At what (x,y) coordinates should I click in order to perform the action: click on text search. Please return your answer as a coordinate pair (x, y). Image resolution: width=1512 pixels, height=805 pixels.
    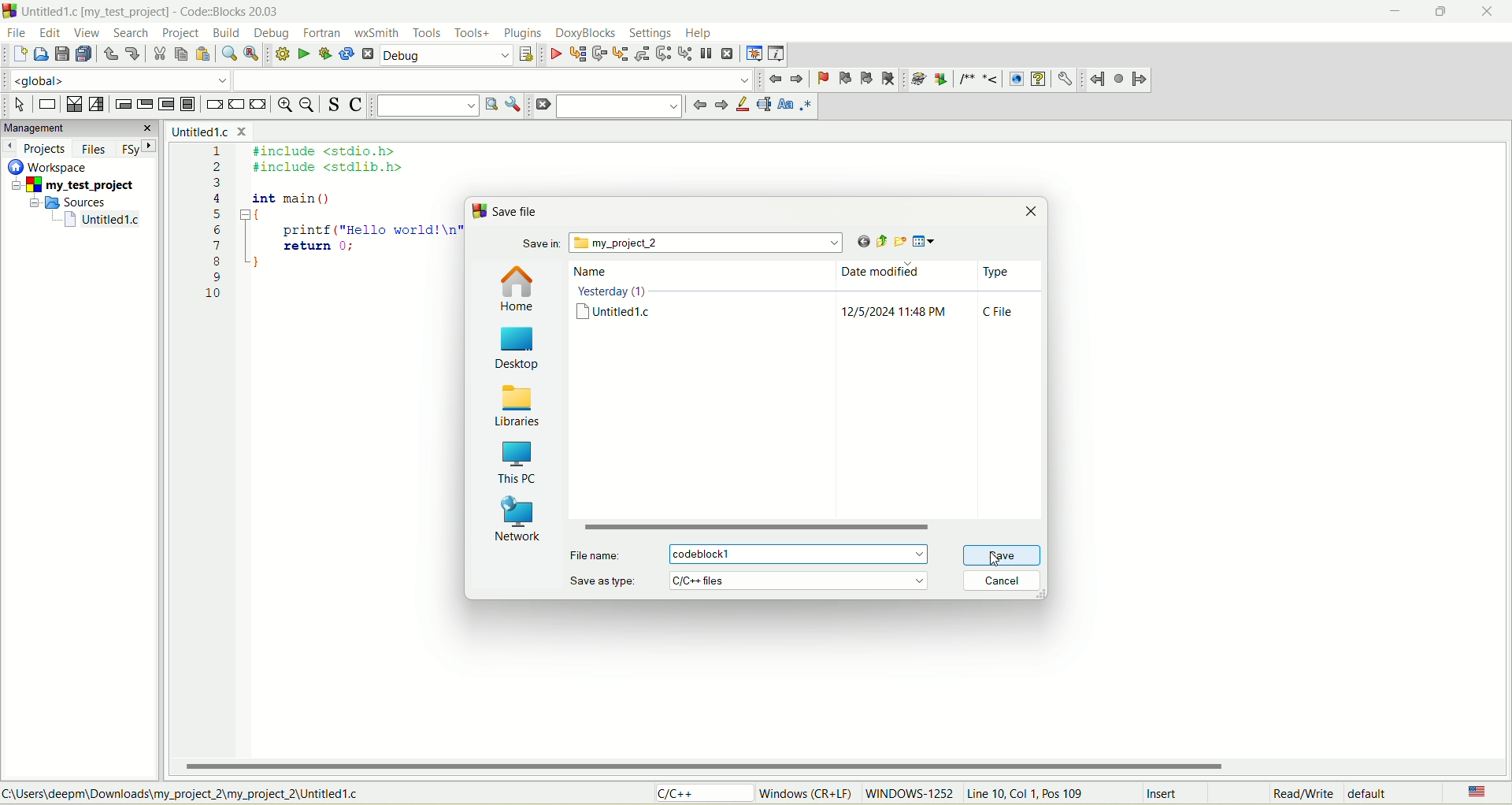
    Looking at the image, I should click on (427, 106).